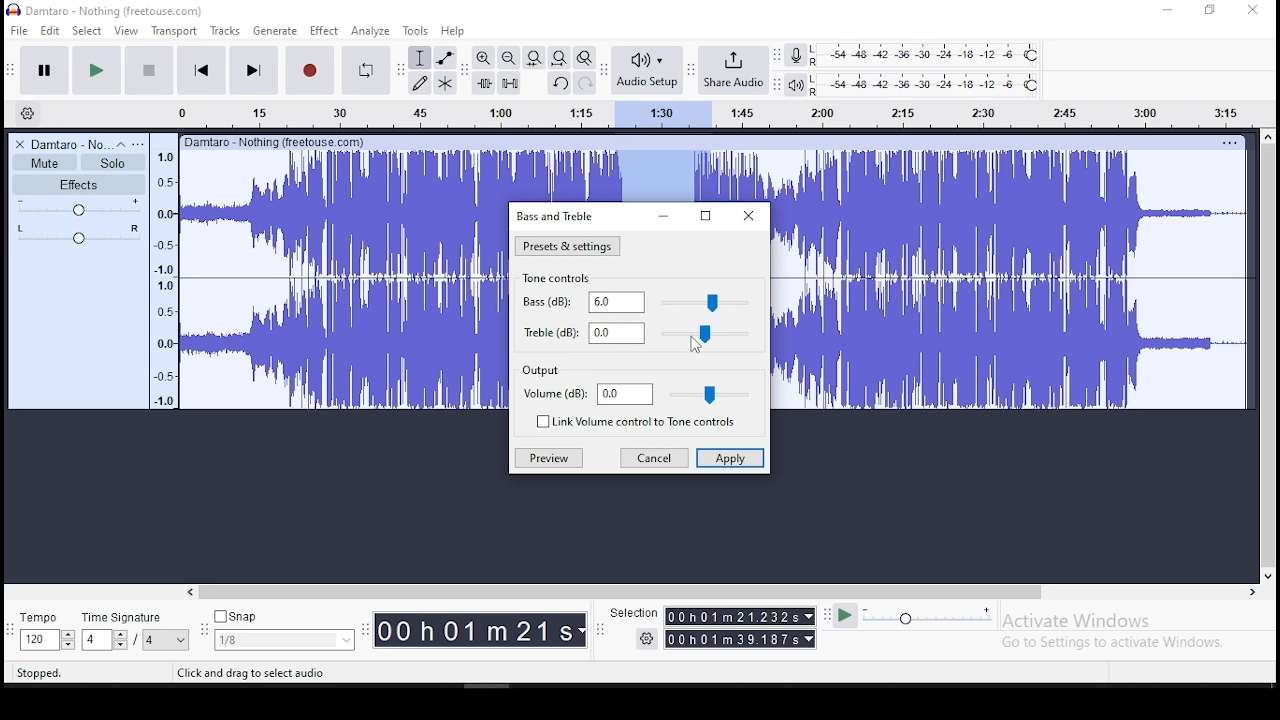 The image size is (1280, 720). Describe the element at coordinates (797, 85) in the screenshot. I see `playback meter` at that location.